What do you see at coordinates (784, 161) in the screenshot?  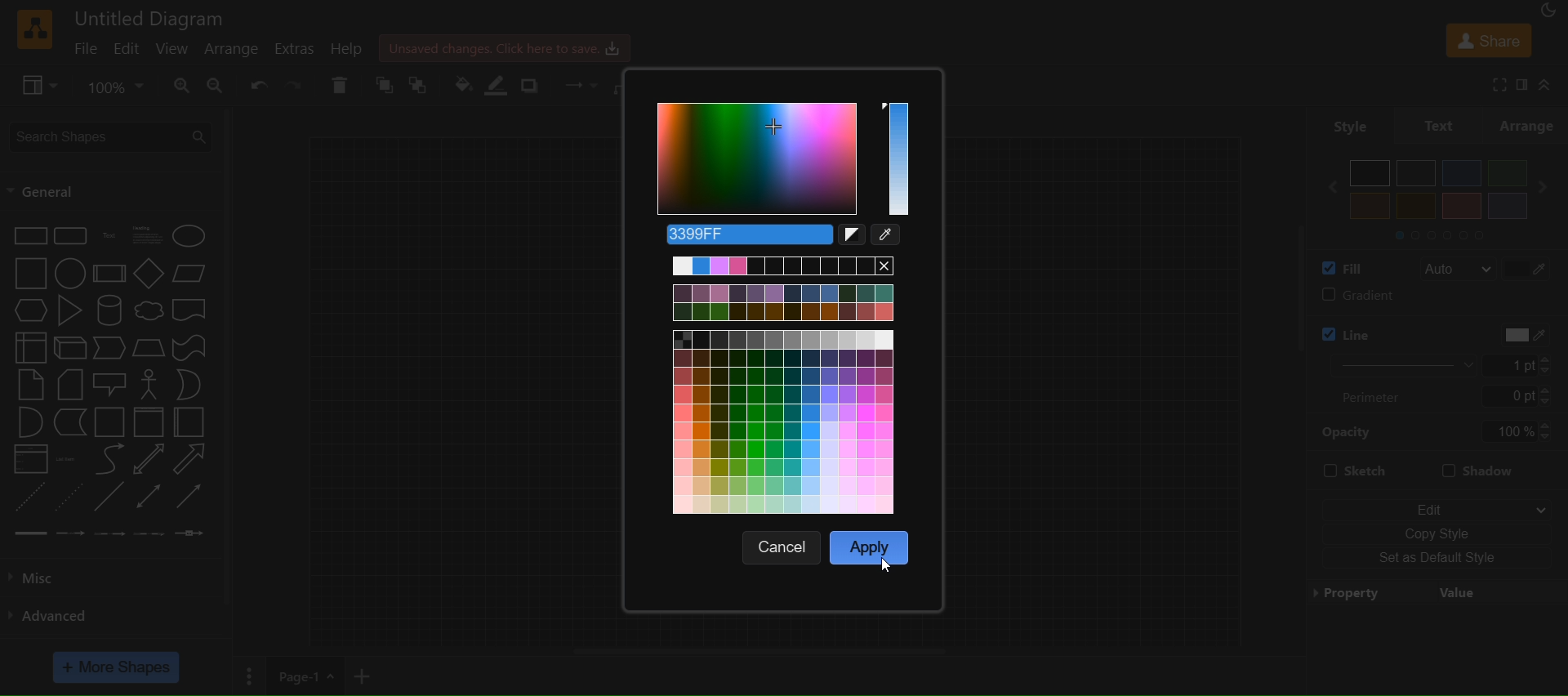 I see `color ` at bounding box center [784, 161].